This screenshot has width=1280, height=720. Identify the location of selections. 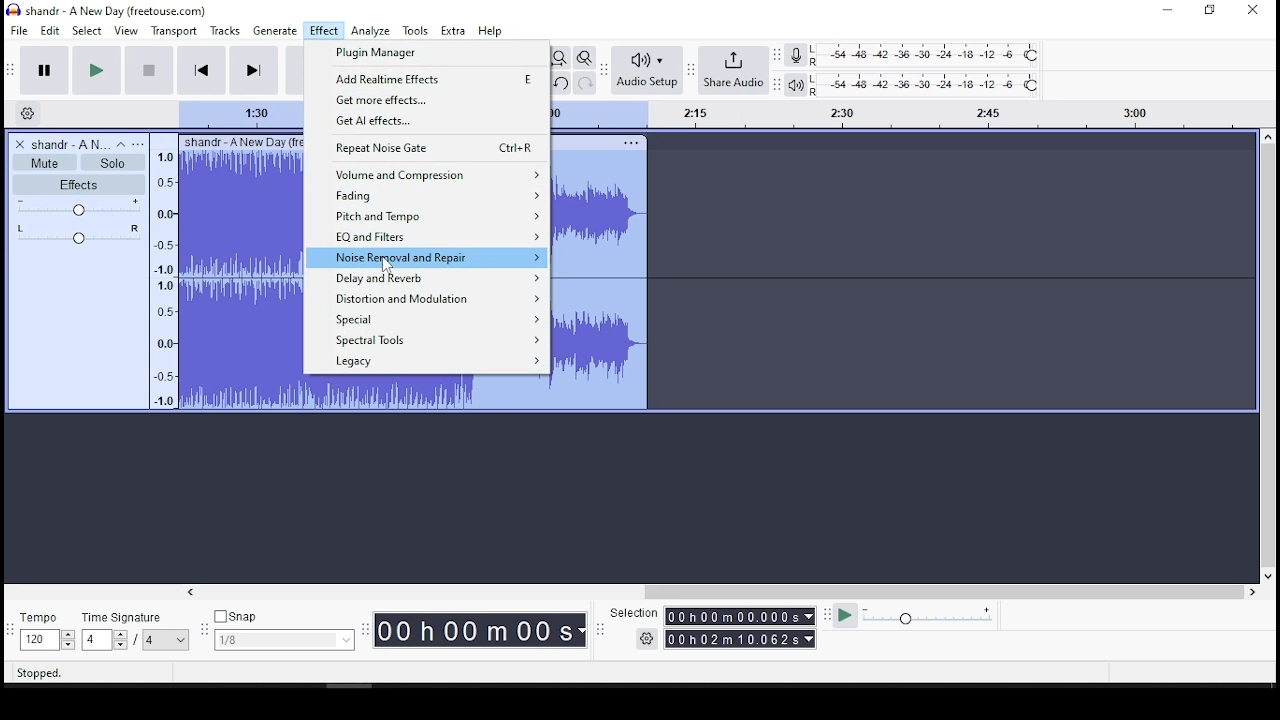
(714, 627).